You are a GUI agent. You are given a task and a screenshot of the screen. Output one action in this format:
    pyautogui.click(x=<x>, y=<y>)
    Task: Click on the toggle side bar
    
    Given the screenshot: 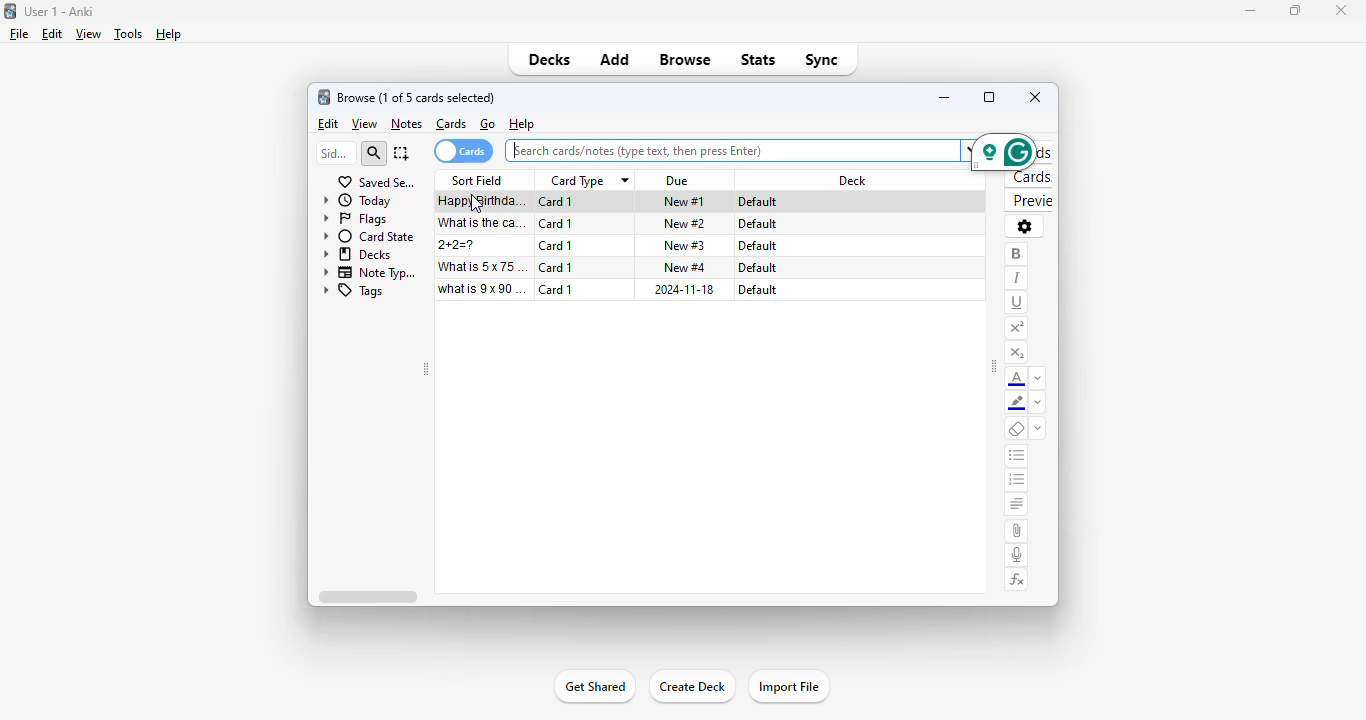 What is the action you would take?
    pyautogui.click(x=994, y=366)
    